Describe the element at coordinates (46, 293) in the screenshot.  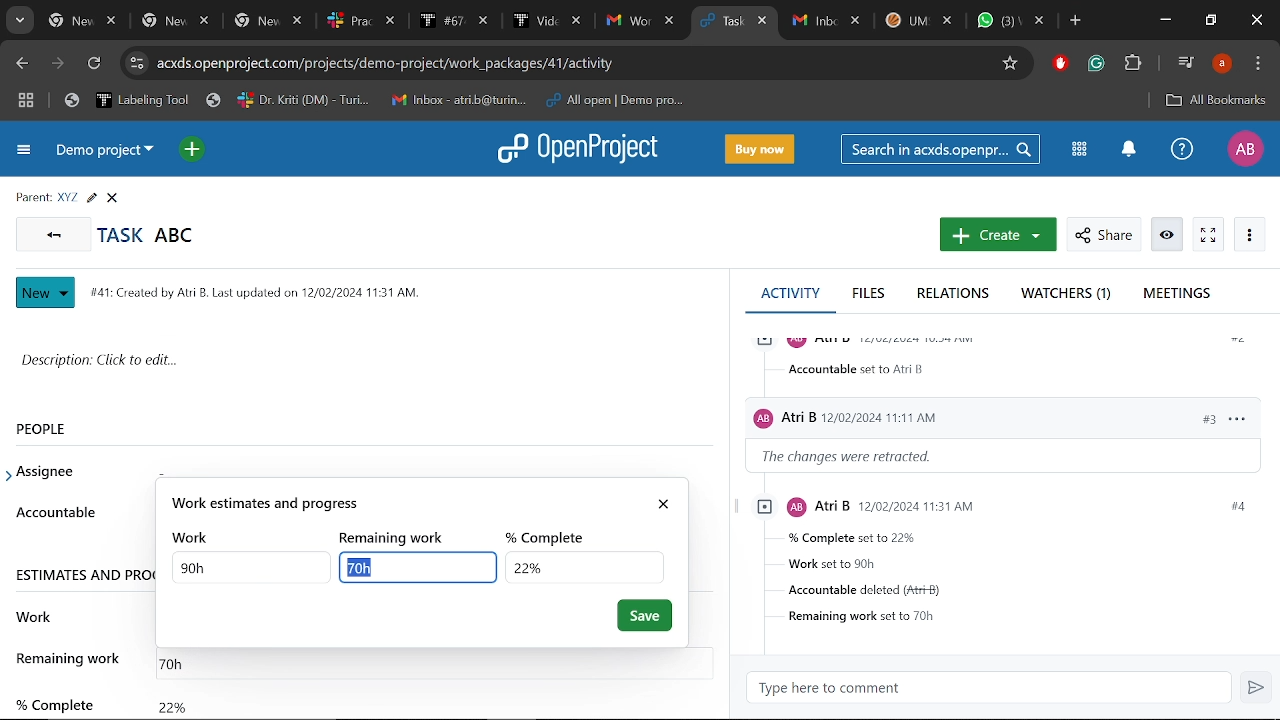
I see `Nwe` at that location.